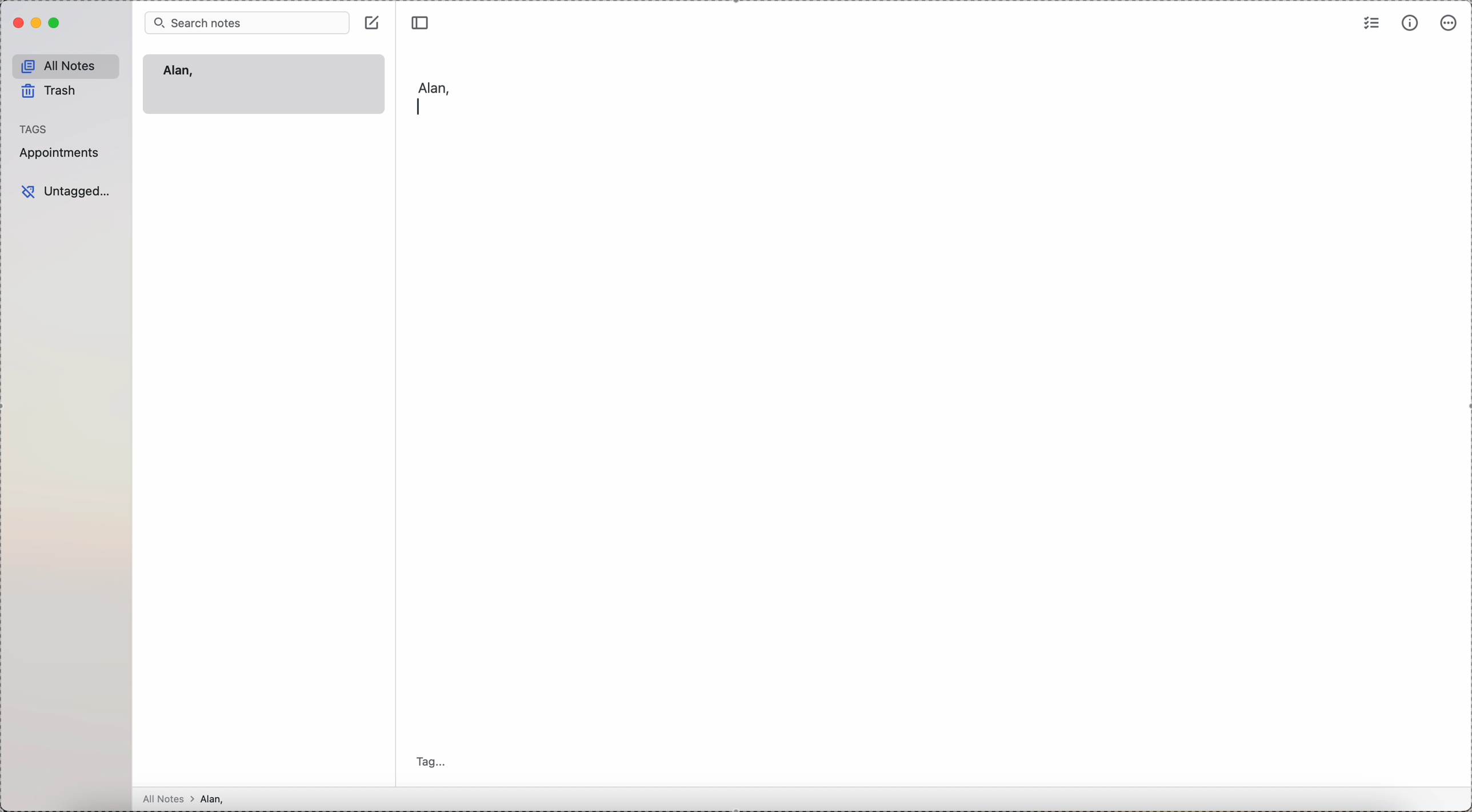  What do you see at coordinates (38, 23) in the screenshot?
I see `minimize Simplenote` at bounding box center [38, 23].